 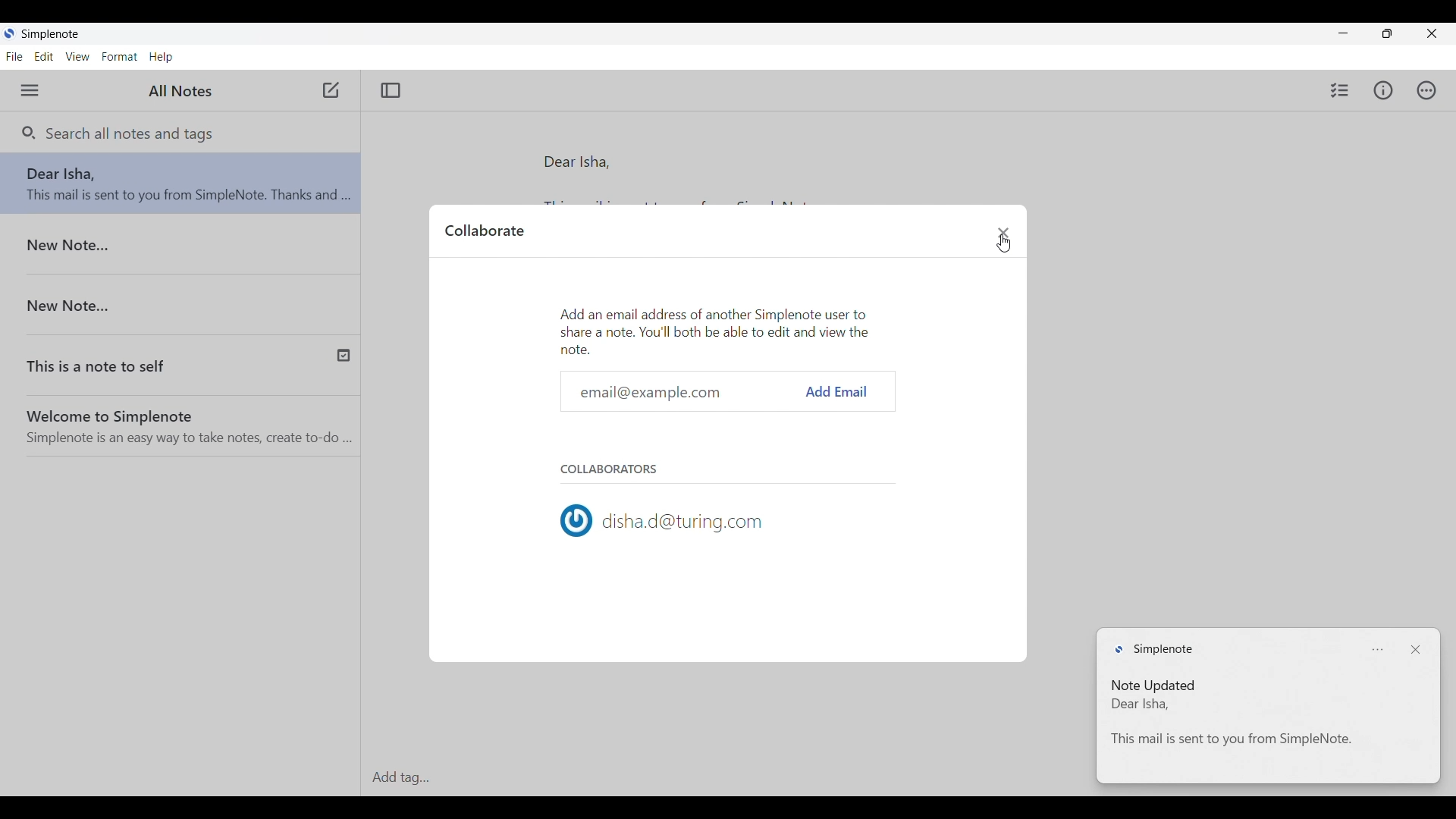 What do you see at coordinates (1387, 33) in the screenshot?
I see `Show interface in a smaller tab` at bounding box center [1387, 33].